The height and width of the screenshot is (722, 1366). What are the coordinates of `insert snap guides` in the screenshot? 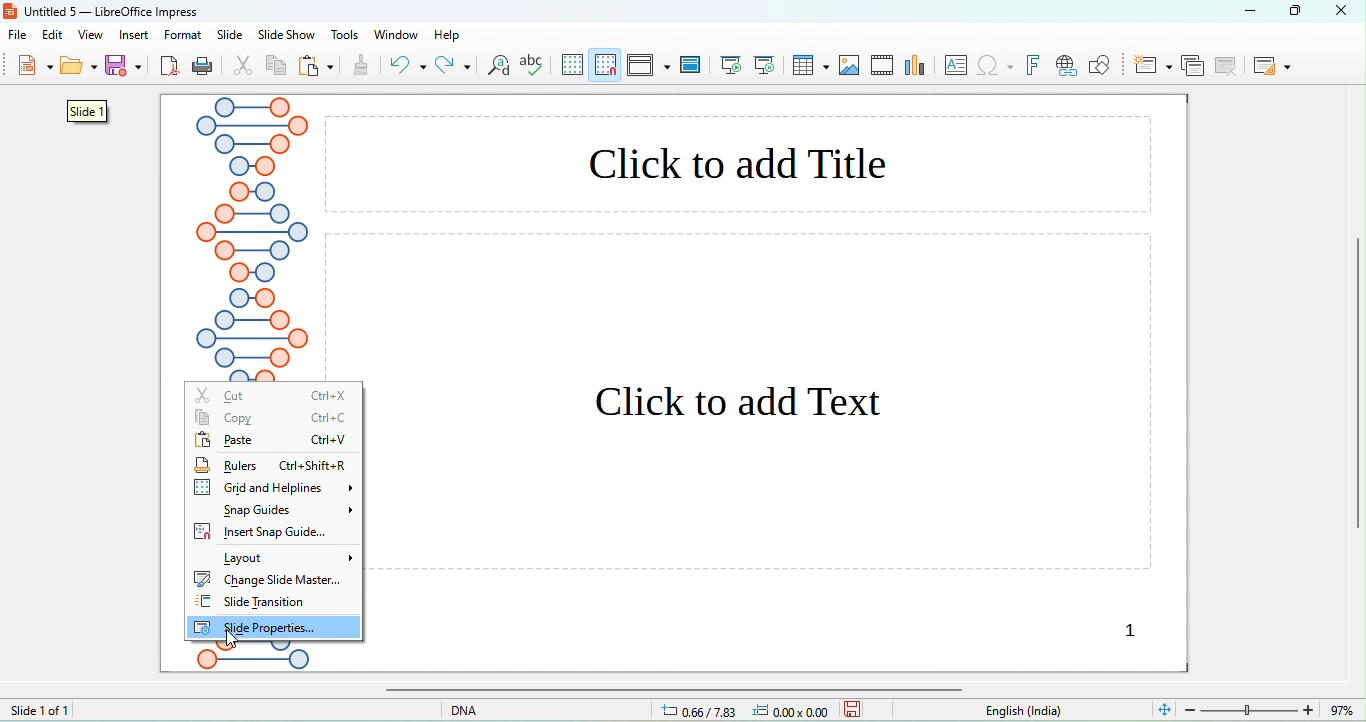 It's located at (271, 532).